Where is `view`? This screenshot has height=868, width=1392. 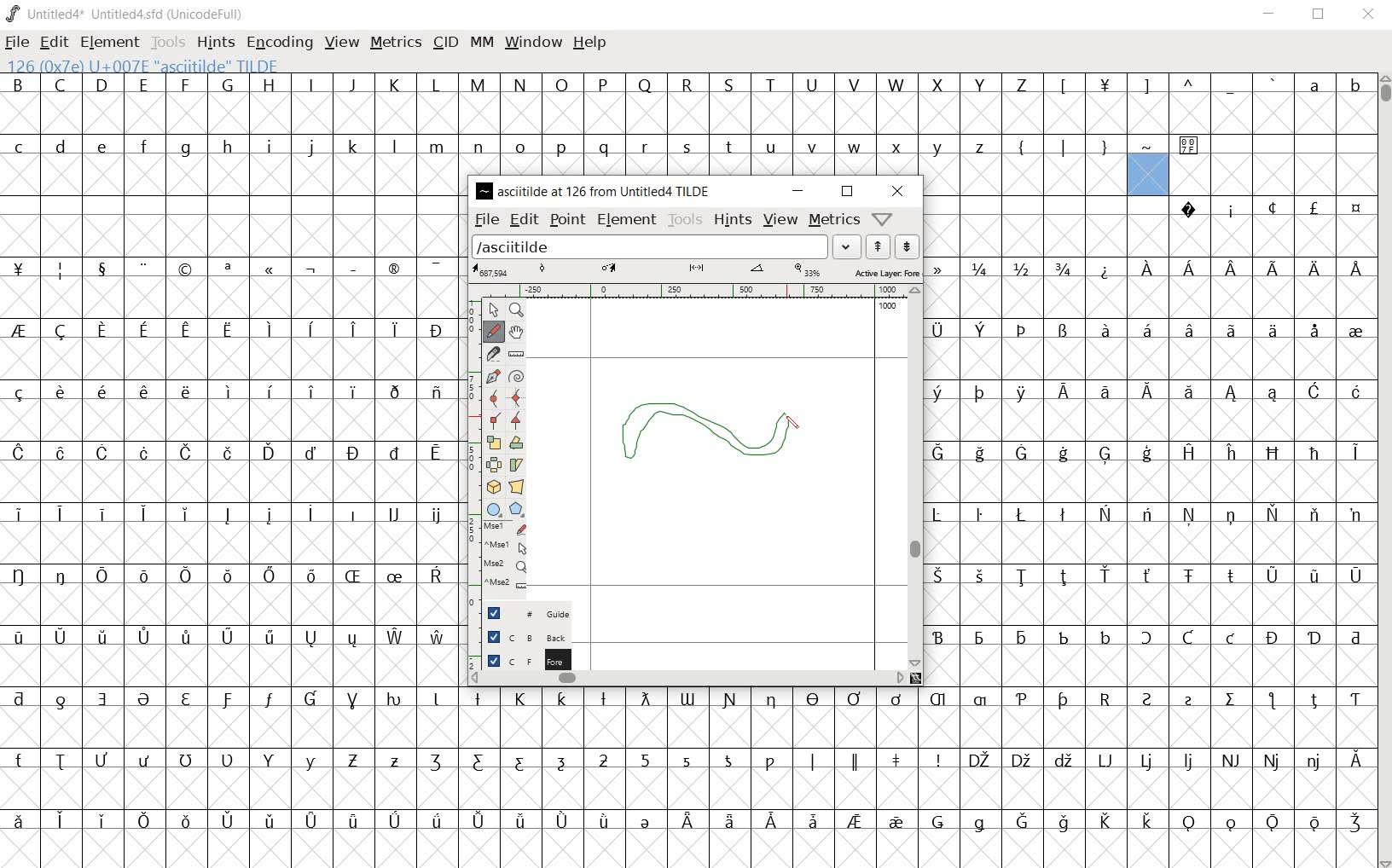
view is located at coordinates (779, 219).